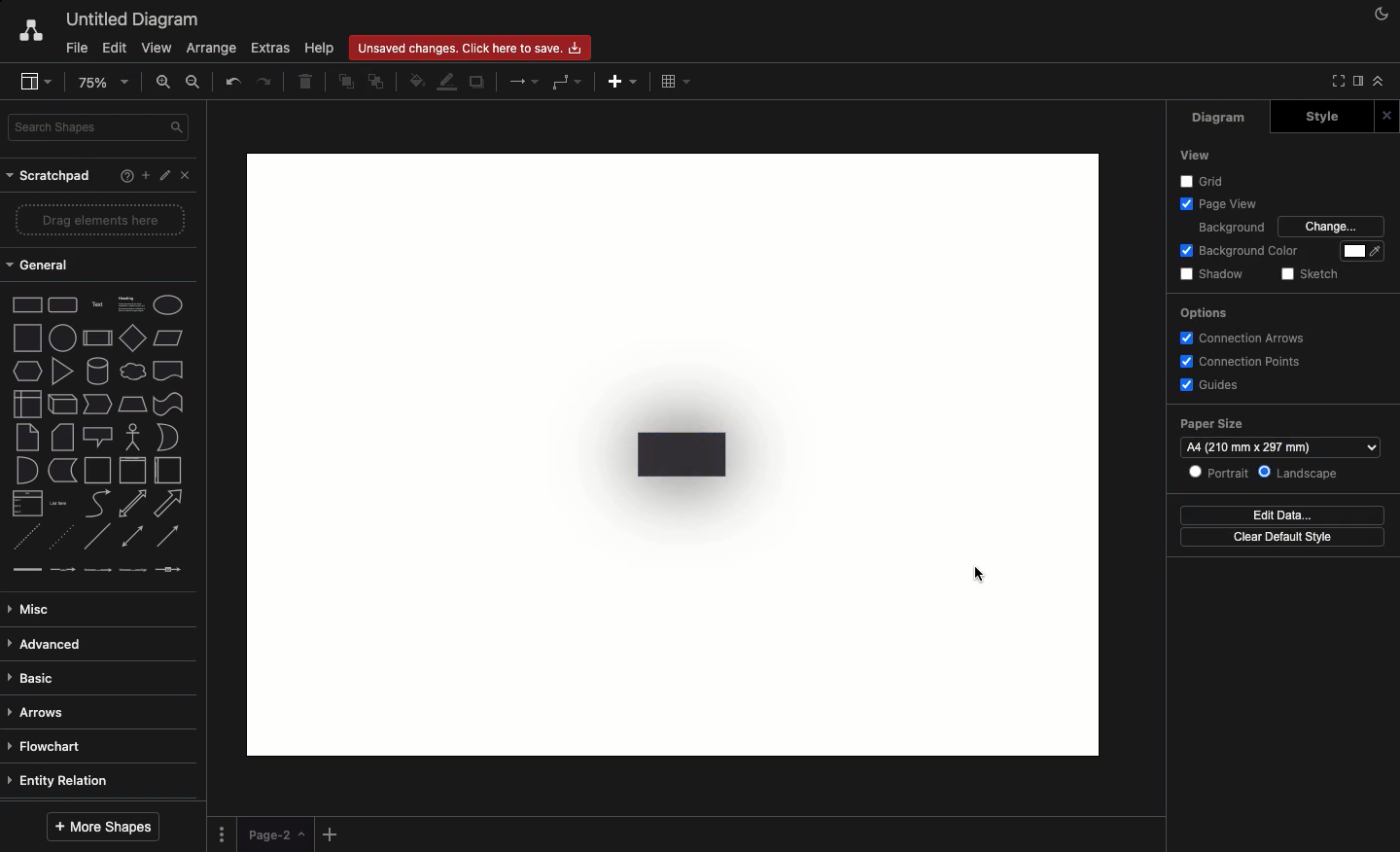  I want to click on list, so click(24, 503).